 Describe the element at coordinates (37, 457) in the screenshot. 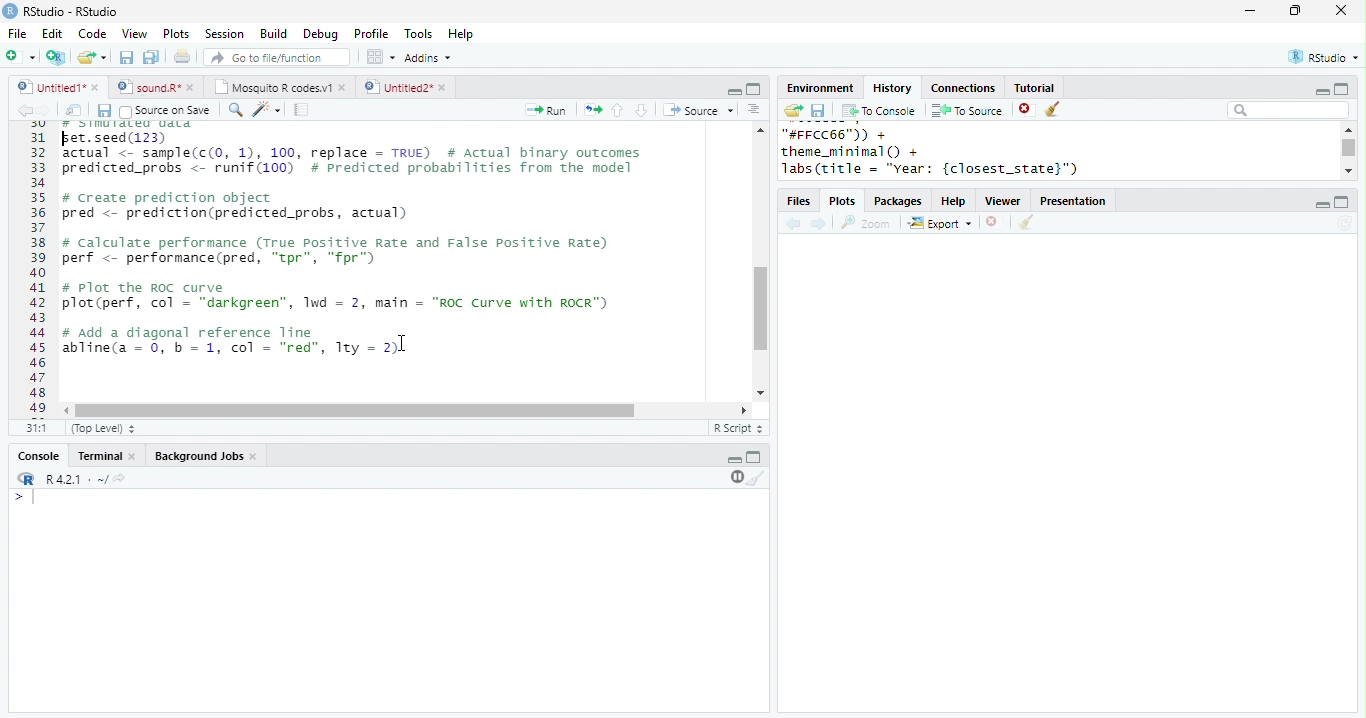

I see `console` at that location.